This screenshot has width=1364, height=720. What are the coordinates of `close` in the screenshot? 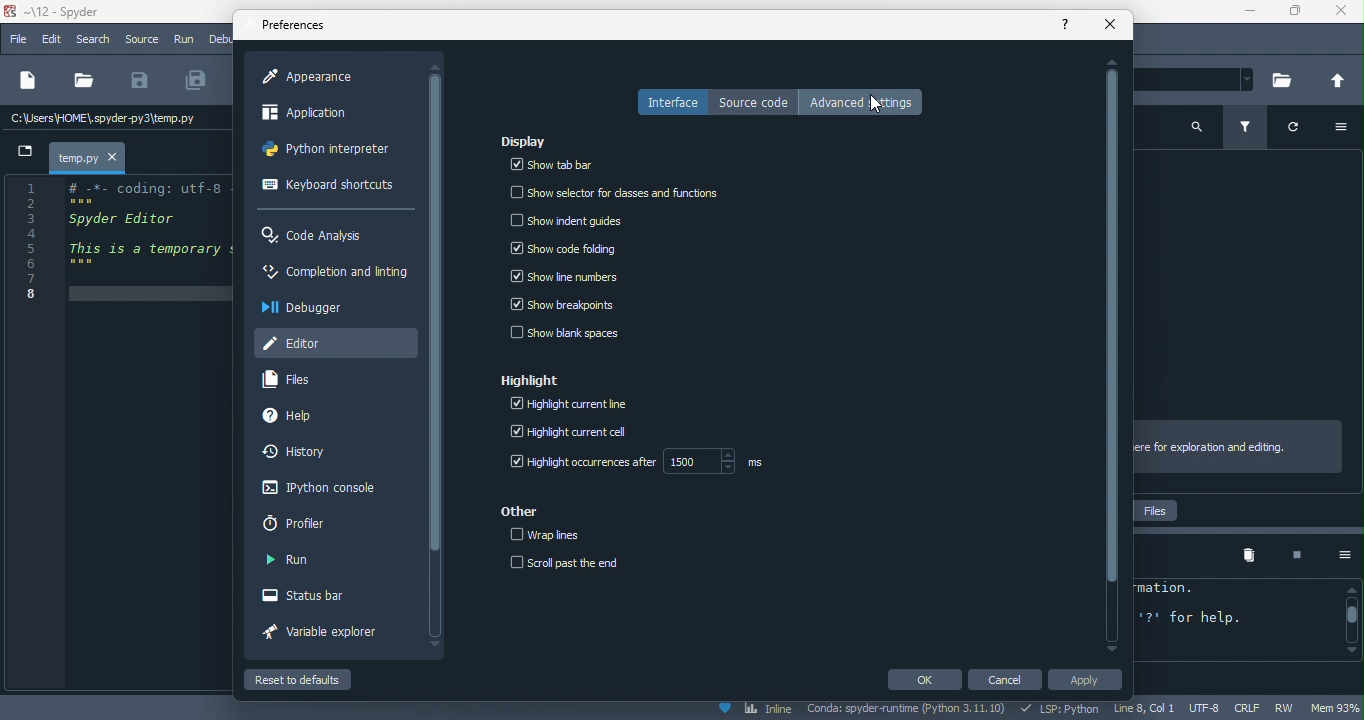 It's located at (1107, 29).